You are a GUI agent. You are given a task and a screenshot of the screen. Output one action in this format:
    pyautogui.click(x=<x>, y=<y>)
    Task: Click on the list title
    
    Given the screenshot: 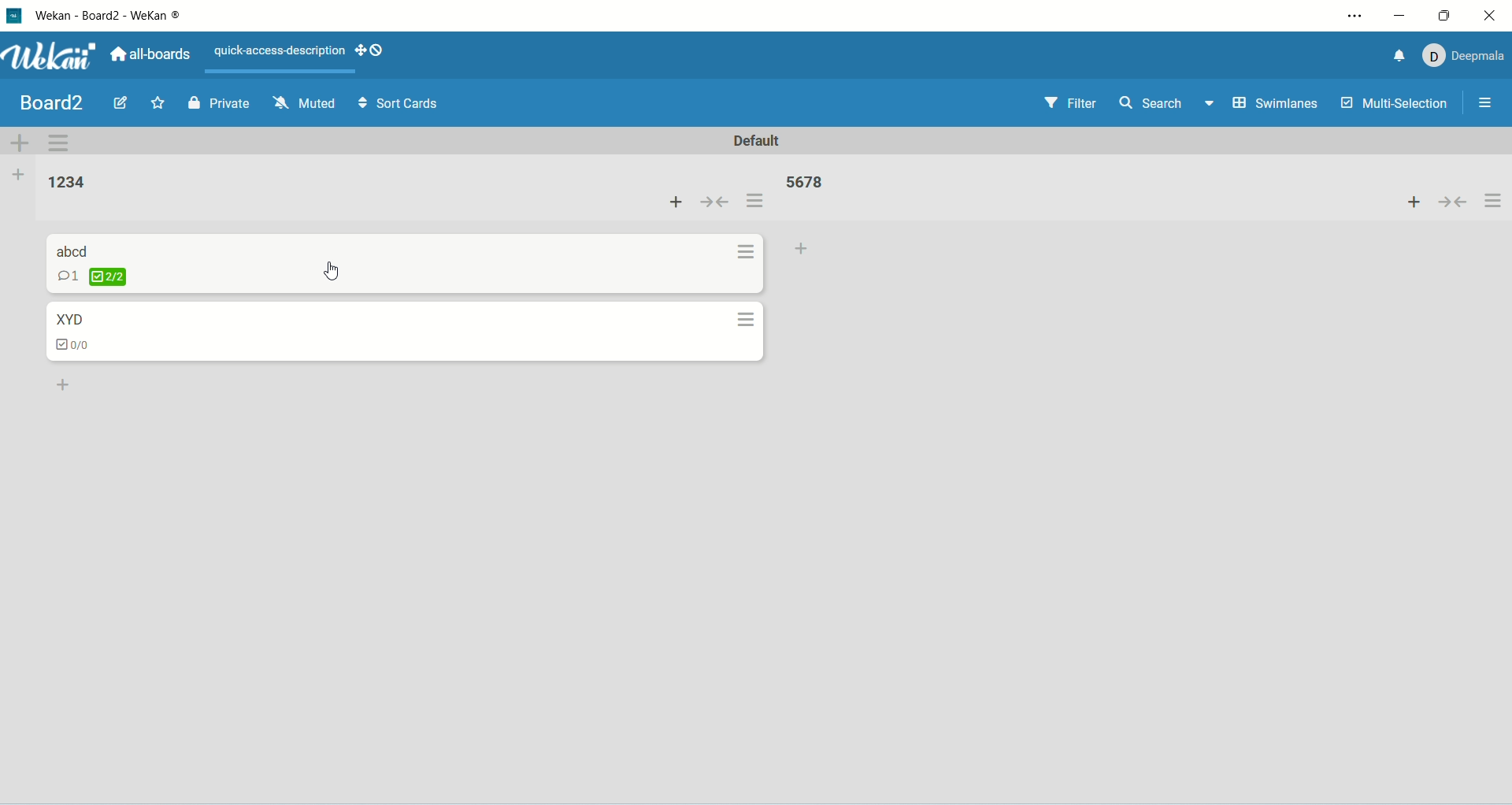 What is the action you would take?
    pyautogui.click(x=69, y=183)
    